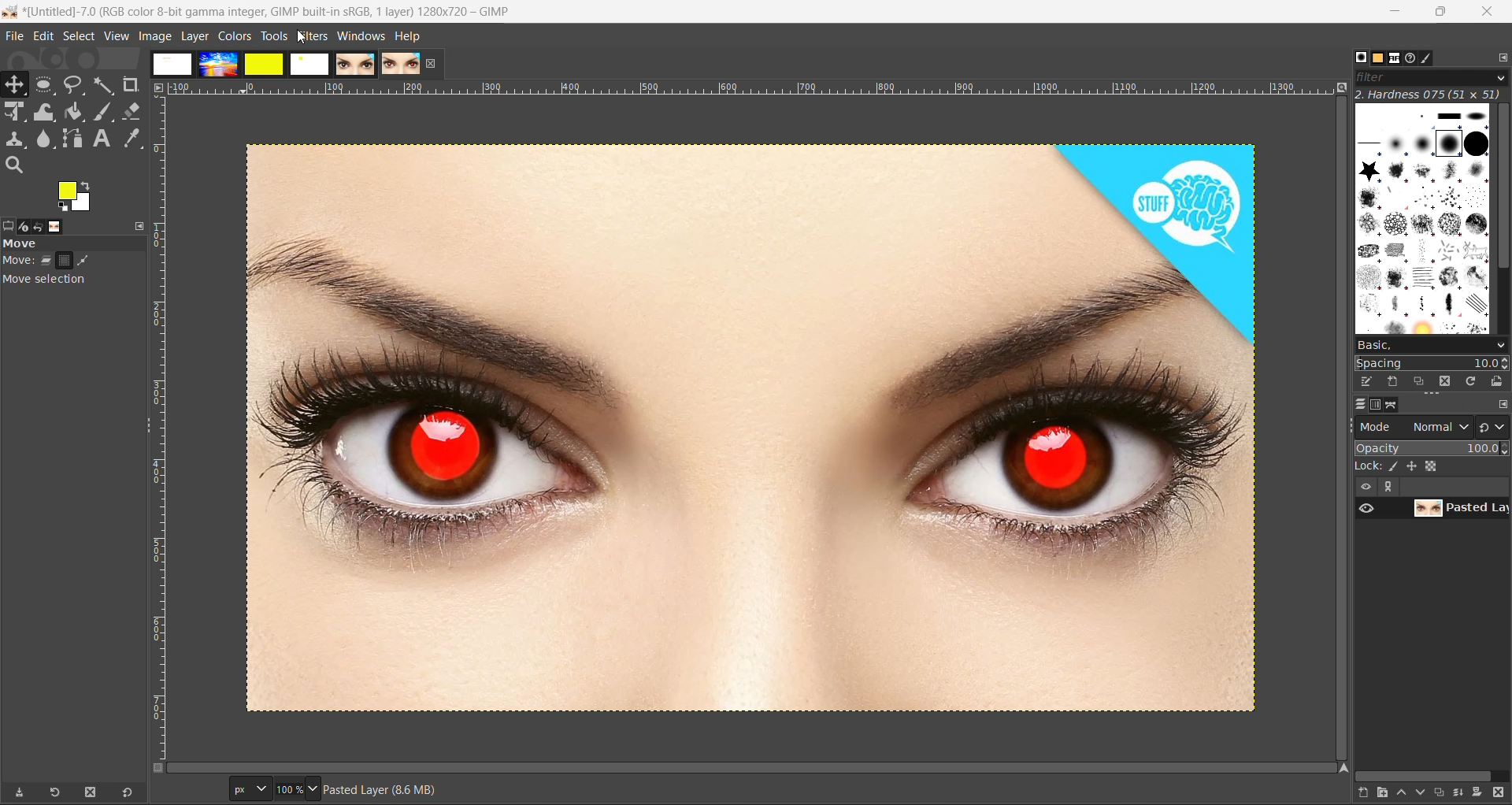 The image size is (1512, 805). Describe the element at coordinates (17, 113) in the screenshot. I see `Scale` at that location.